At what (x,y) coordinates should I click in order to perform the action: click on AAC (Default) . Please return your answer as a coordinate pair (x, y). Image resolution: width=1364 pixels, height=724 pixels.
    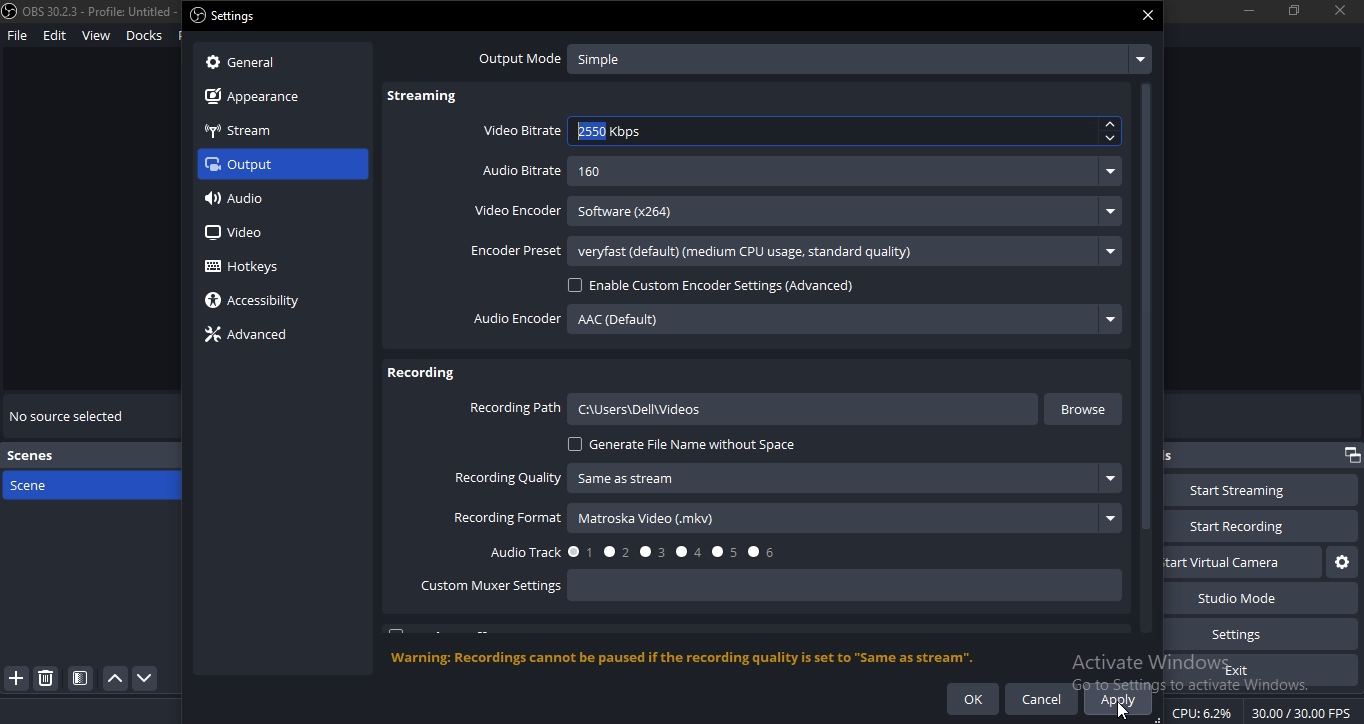
    Looking at the image, I should click on (847, 321).